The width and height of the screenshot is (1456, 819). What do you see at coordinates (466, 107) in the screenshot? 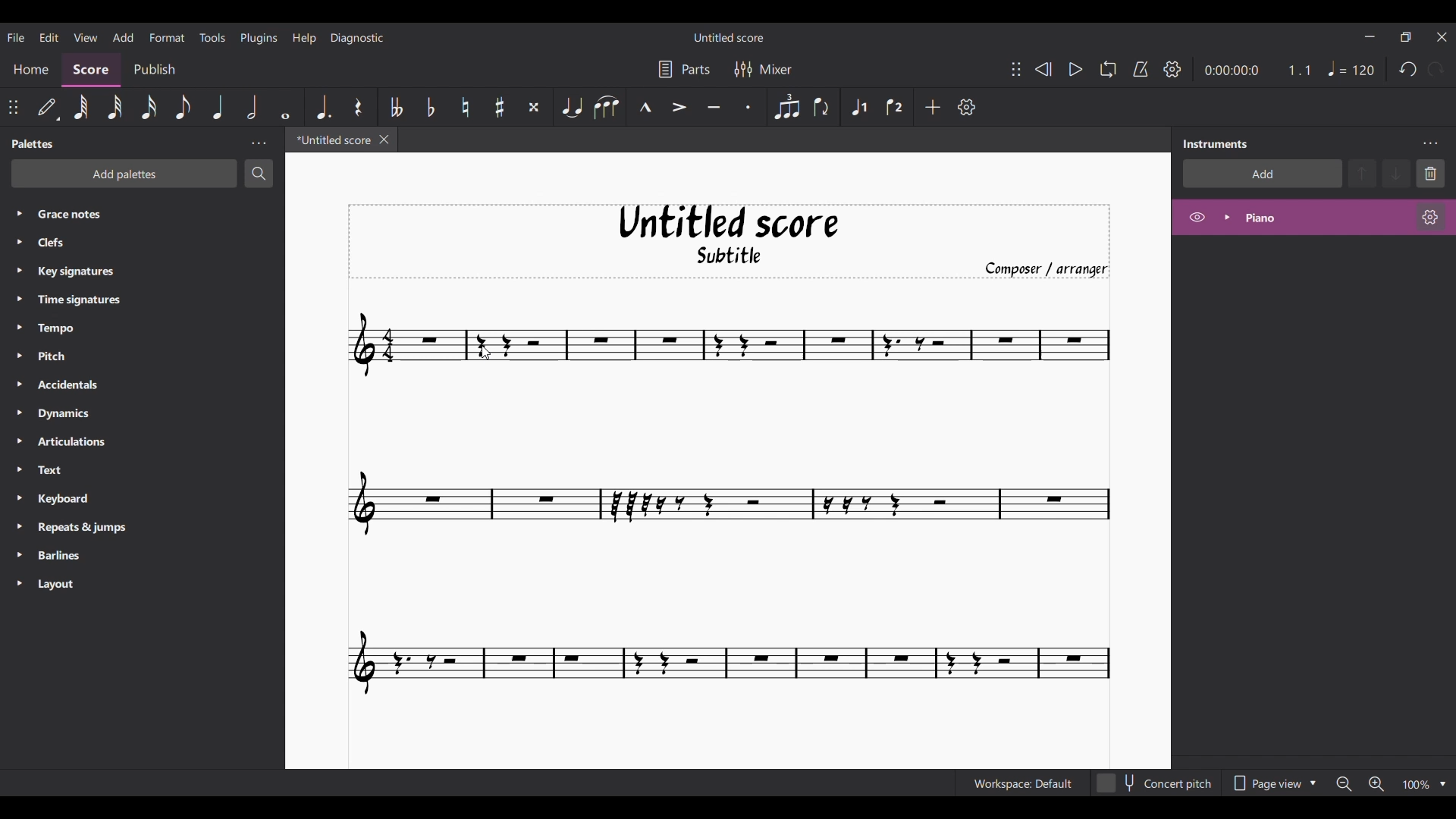
I see `Toggle natural` at bounding box center [466, 107].